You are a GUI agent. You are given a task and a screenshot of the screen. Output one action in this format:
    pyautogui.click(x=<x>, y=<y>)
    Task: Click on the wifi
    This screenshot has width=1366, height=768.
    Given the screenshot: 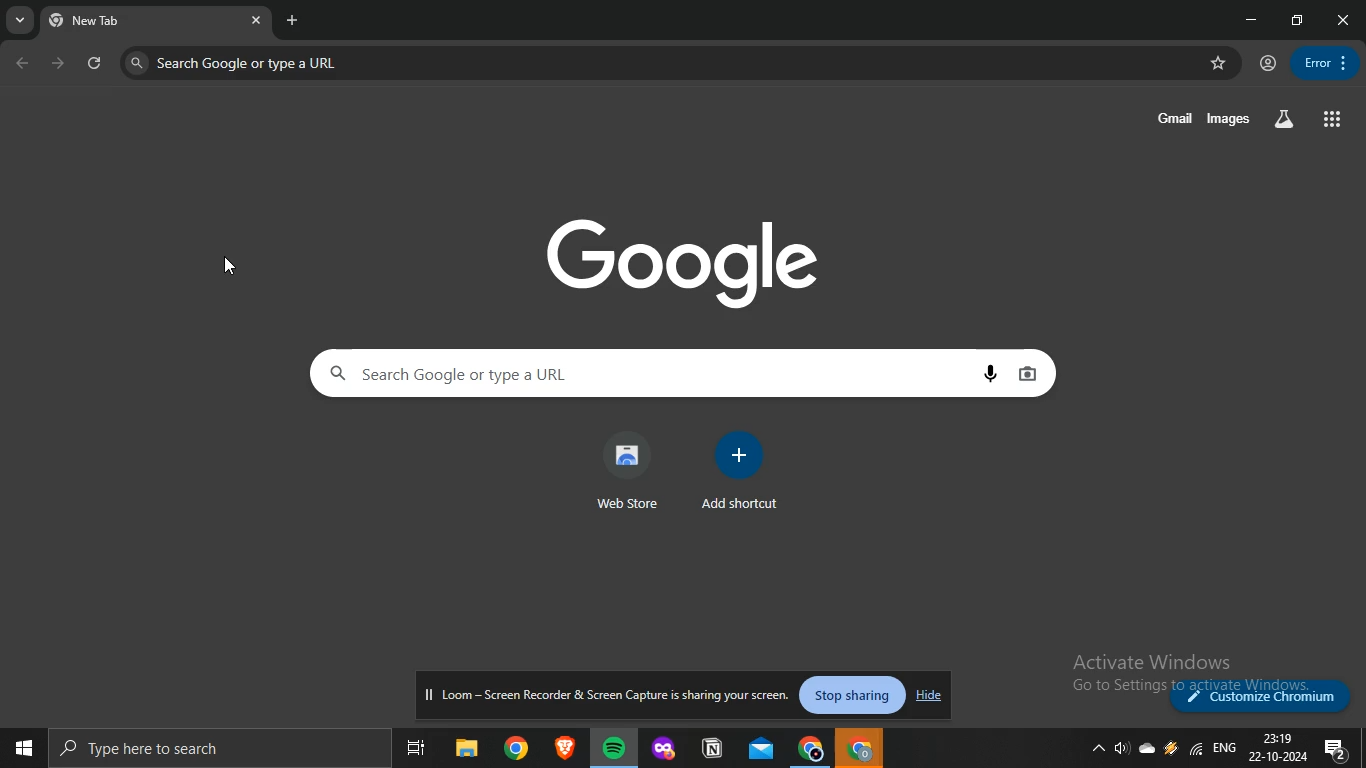 What is the action you would take?
    pyautogui.click(x=1194, y=748)
    